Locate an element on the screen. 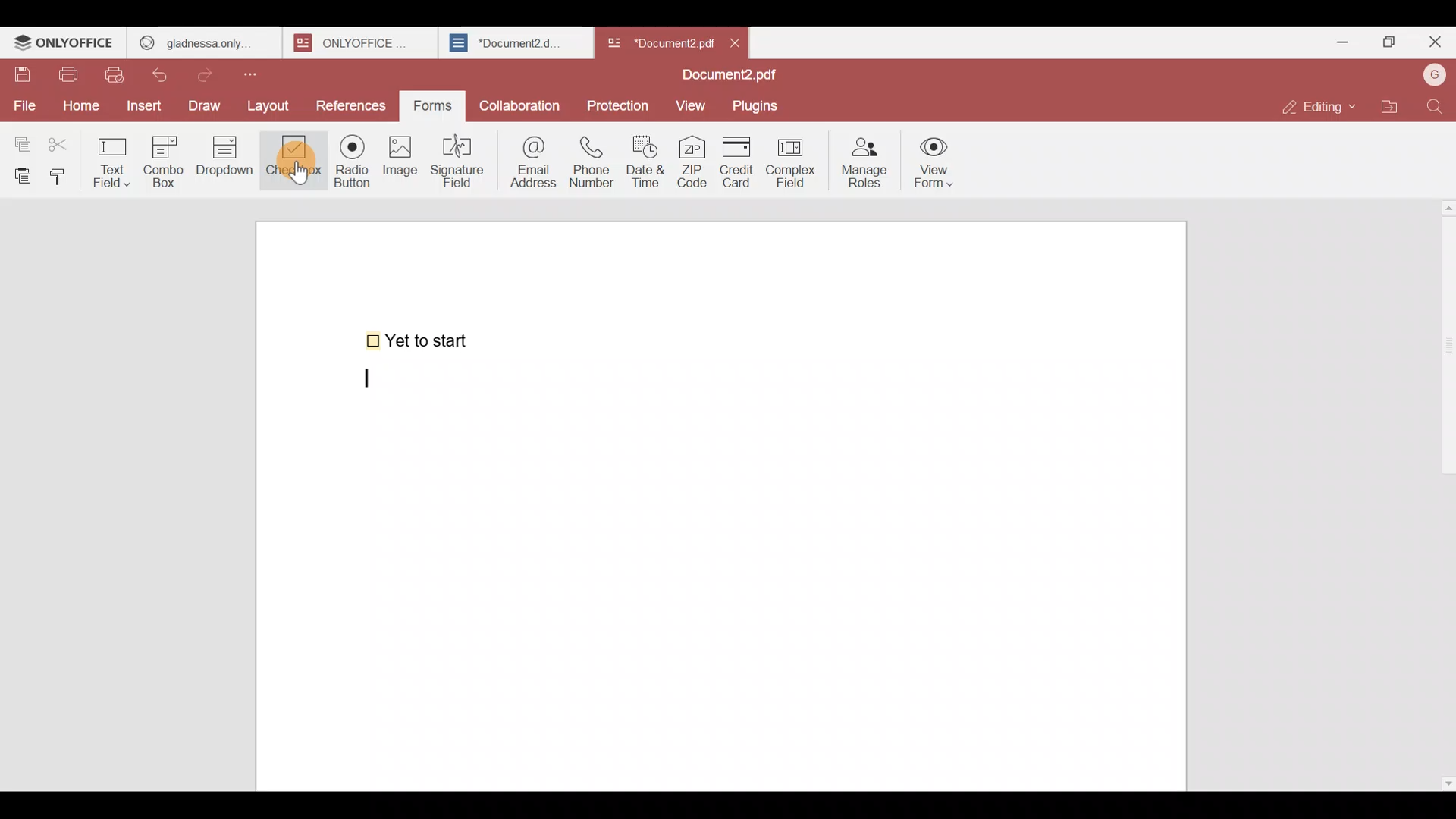 The image size is (1456, 819). Signature field is located at coordinates (462, 159).